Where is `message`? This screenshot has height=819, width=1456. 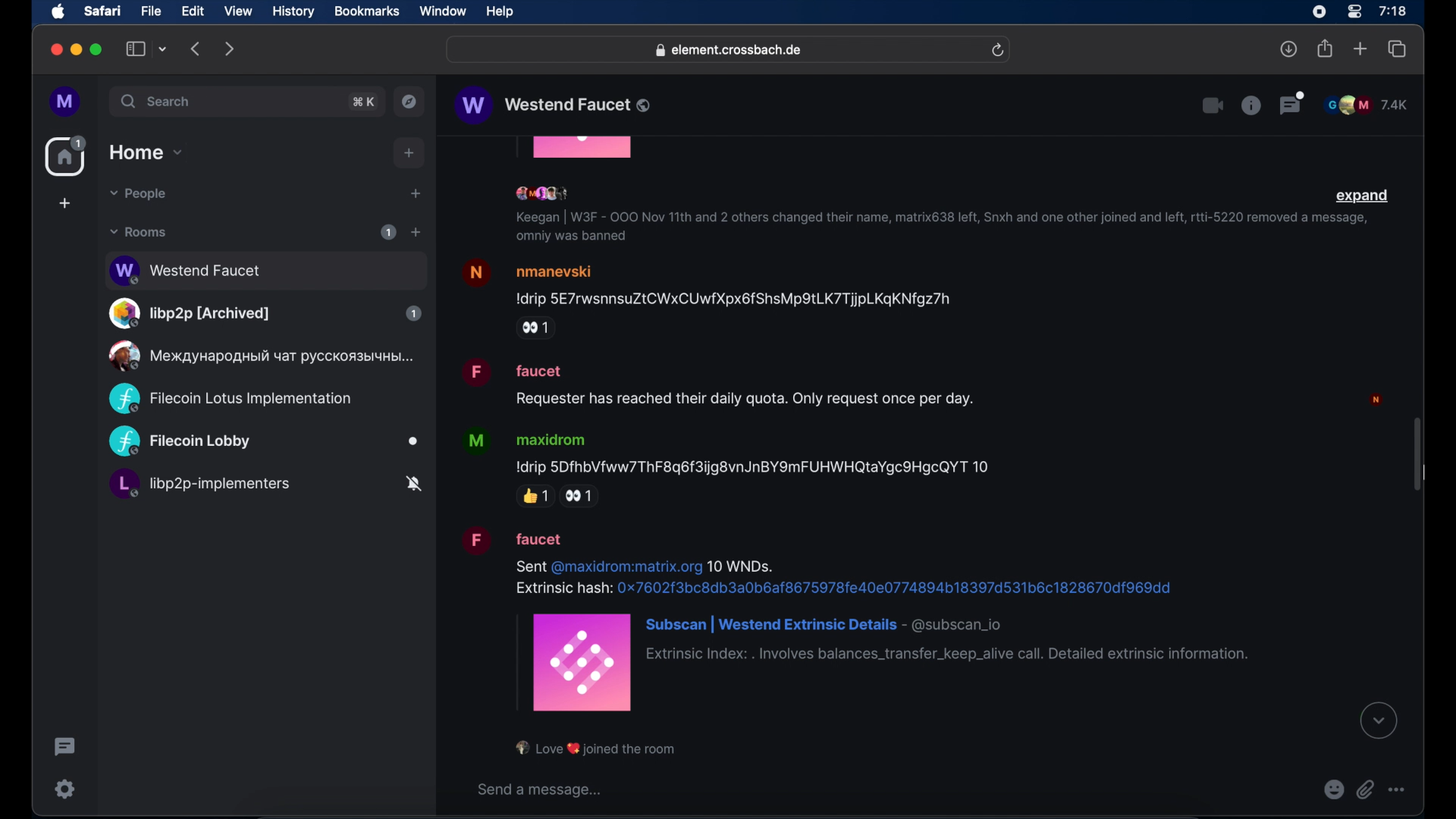 message is located at coordinates (732, 451).